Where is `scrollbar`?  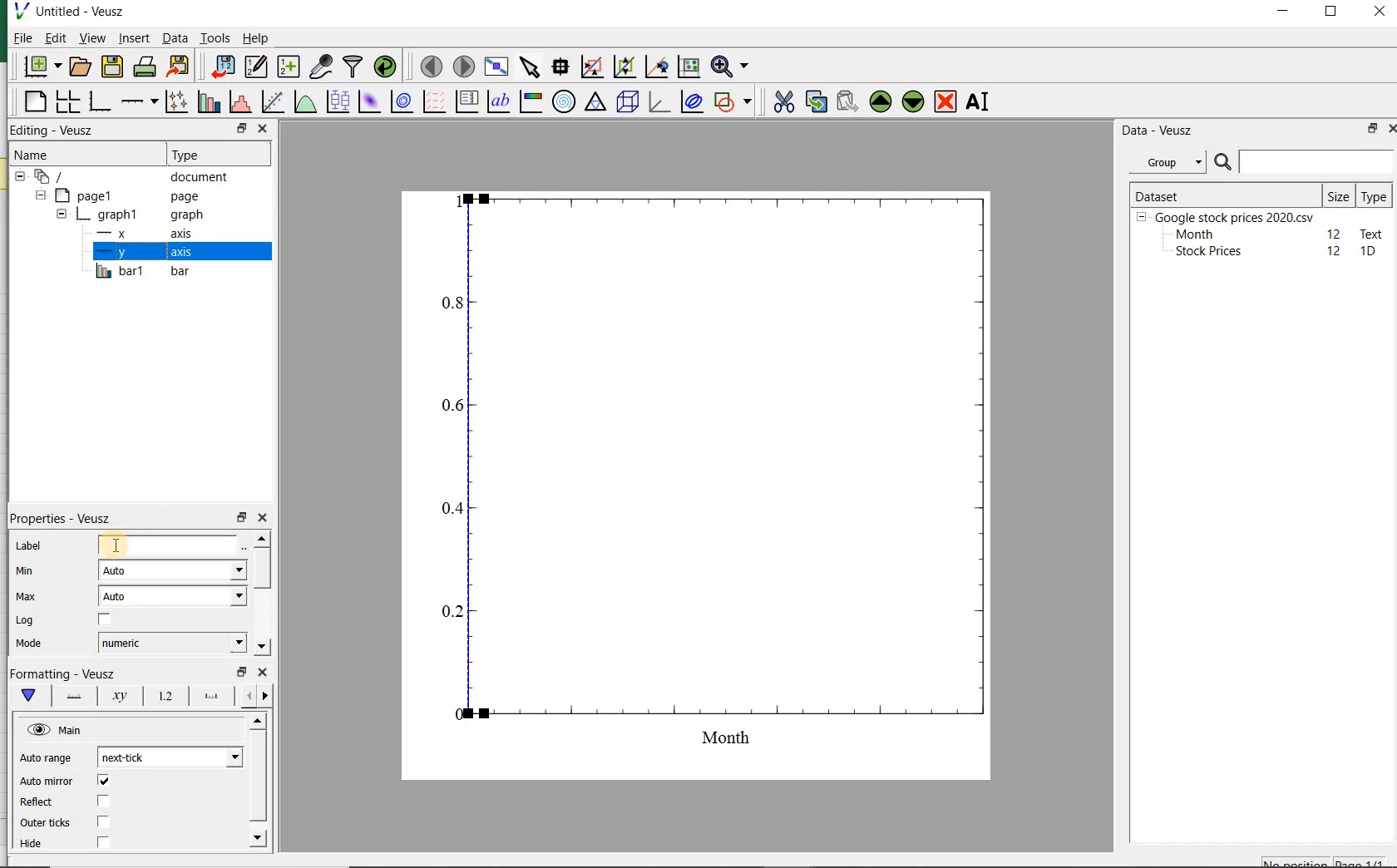
scrollbar is located at coordinates (256, 783).